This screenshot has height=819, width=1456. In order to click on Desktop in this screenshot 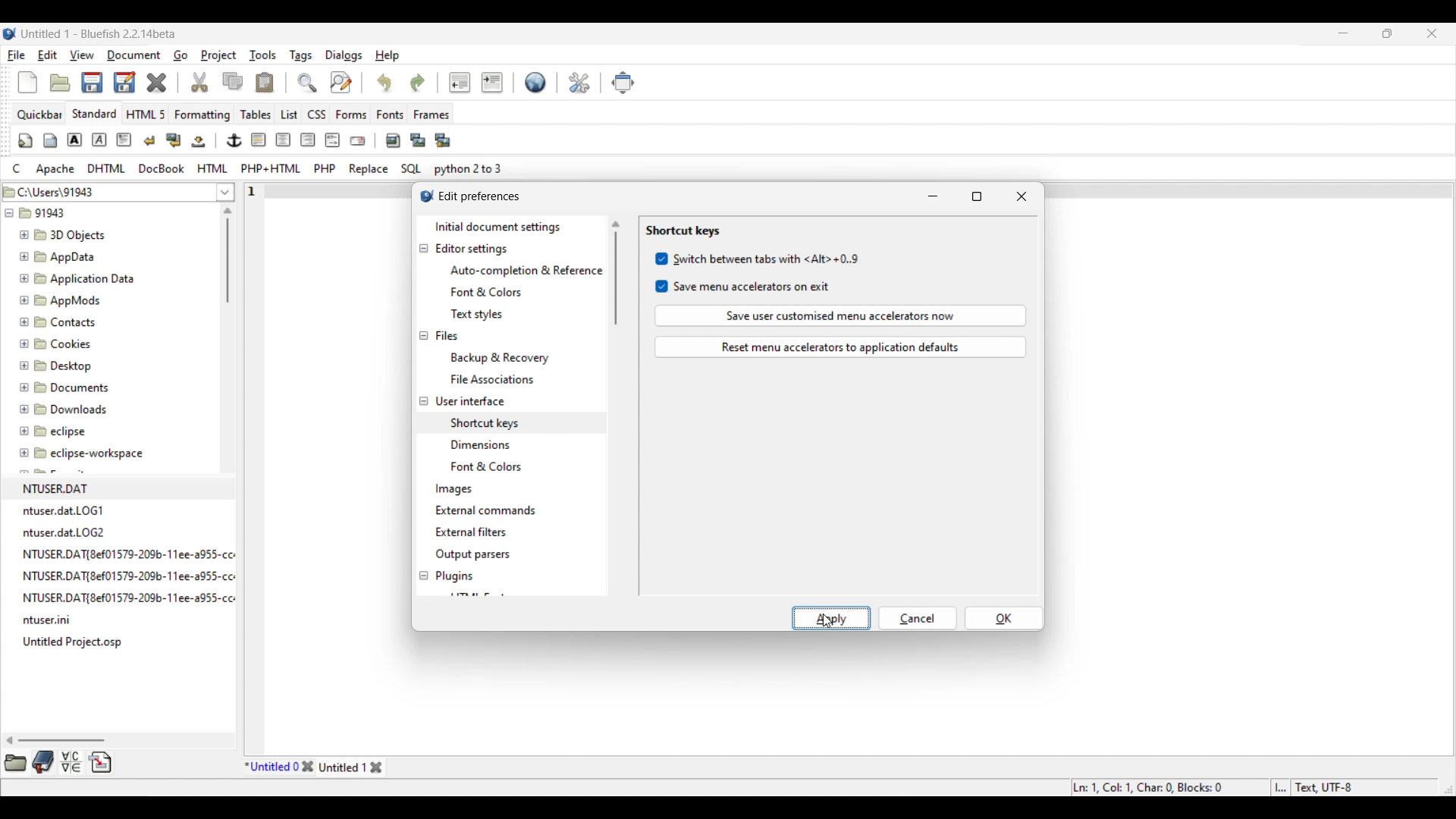, I will do `click(64, 363)`.